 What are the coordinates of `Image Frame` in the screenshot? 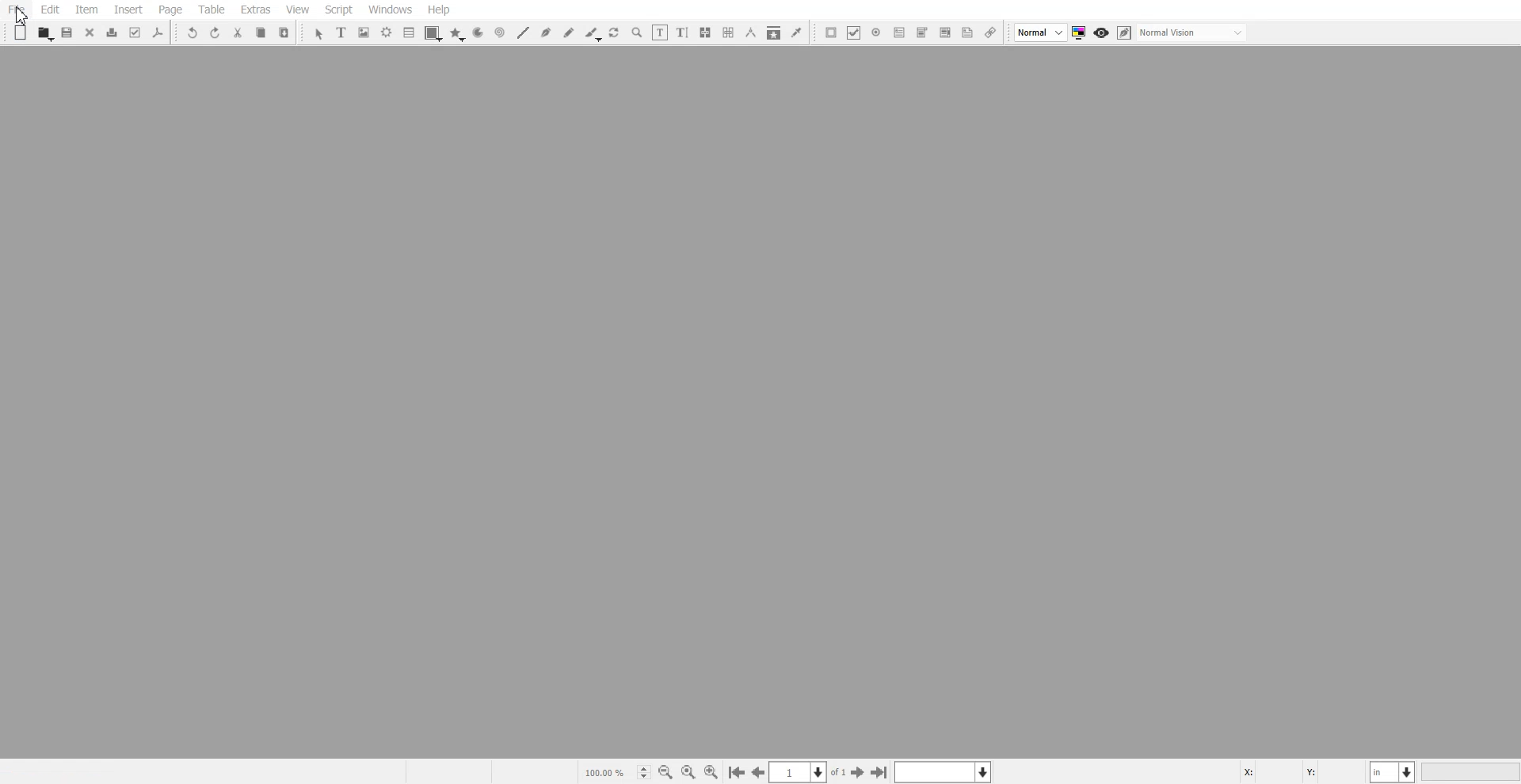 It's located at (364, 32).